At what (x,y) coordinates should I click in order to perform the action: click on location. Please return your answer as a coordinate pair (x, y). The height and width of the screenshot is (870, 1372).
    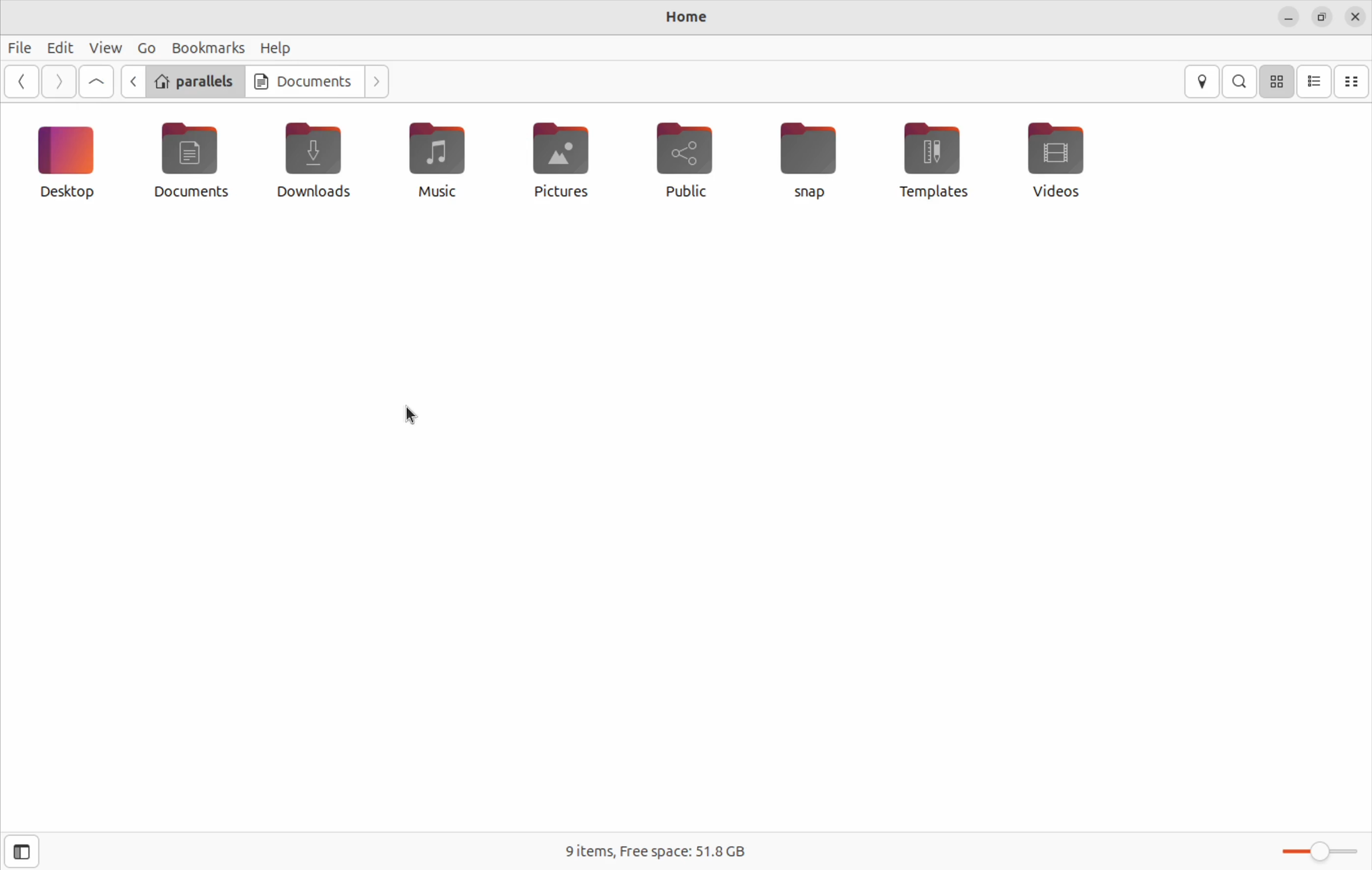
    Looking at the image, I should click on (1198, 83).